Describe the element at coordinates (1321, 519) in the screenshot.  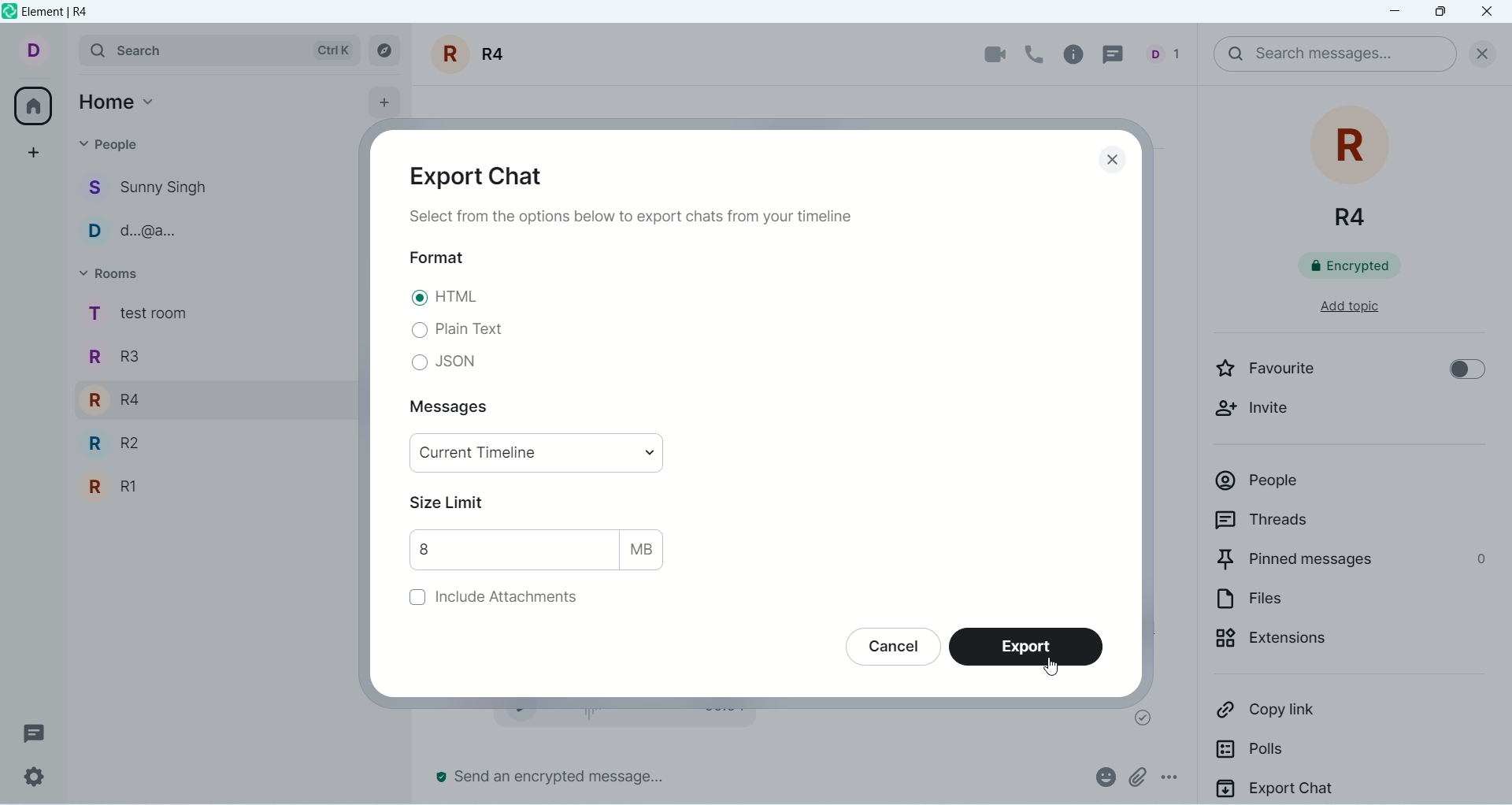
I see `threads` at that location.